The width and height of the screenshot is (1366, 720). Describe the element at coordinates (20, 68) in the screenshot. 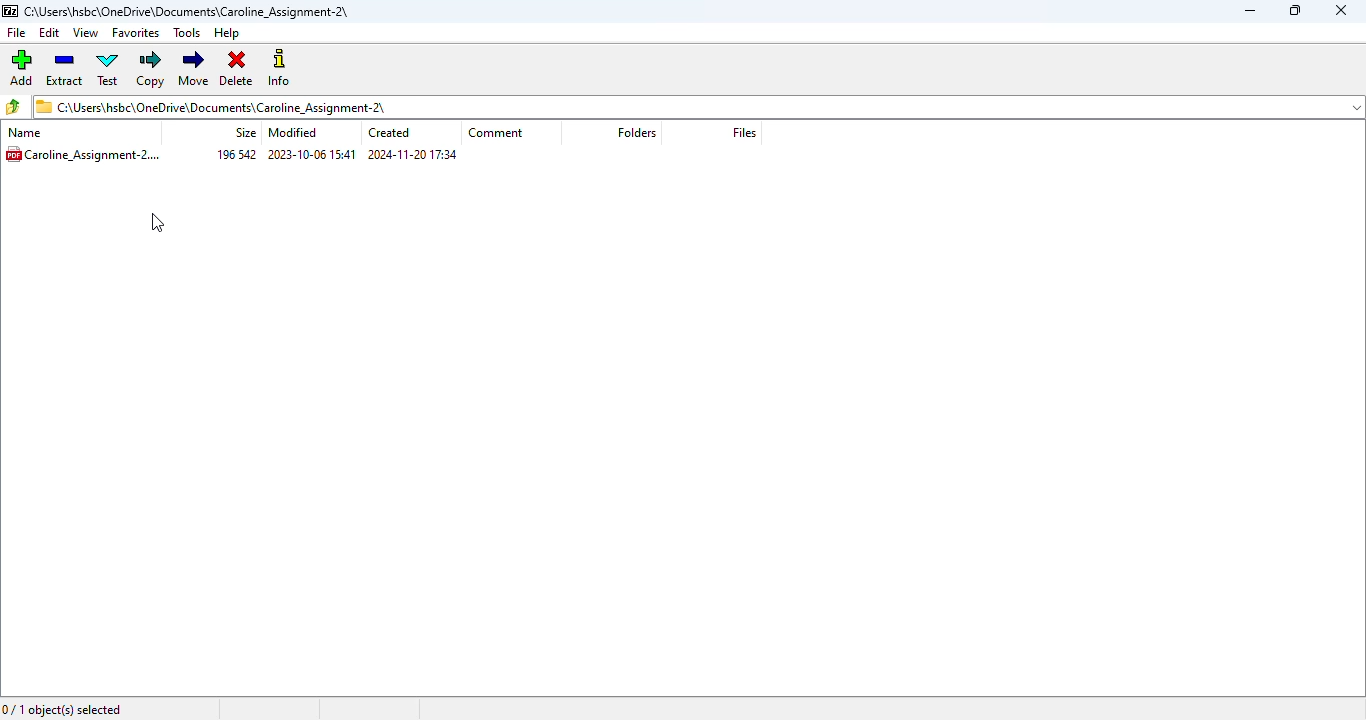

I see `add` at that location.